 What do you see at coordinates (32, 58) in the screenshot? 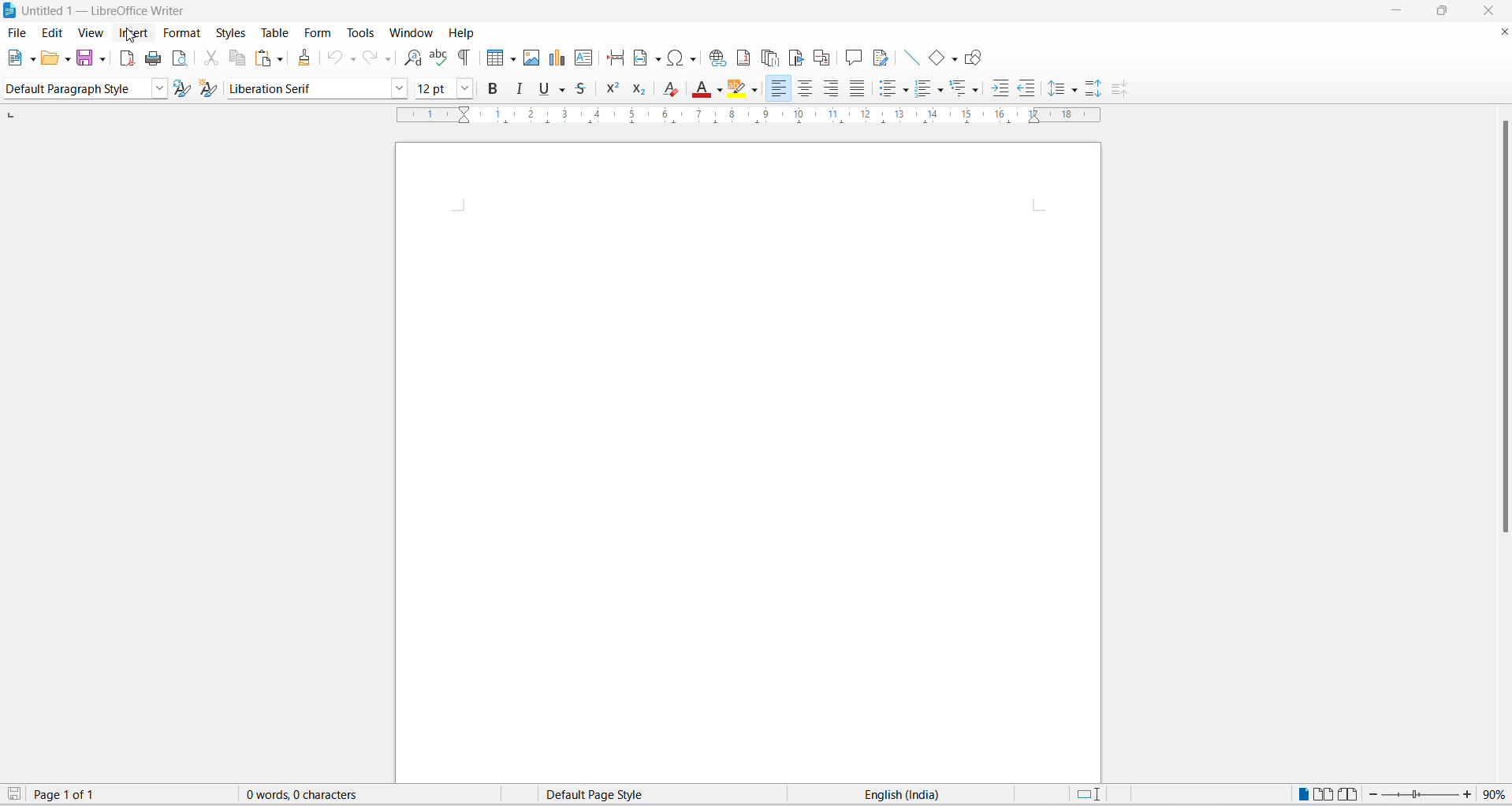
I see `file  options` at bounding box center [32, 58].